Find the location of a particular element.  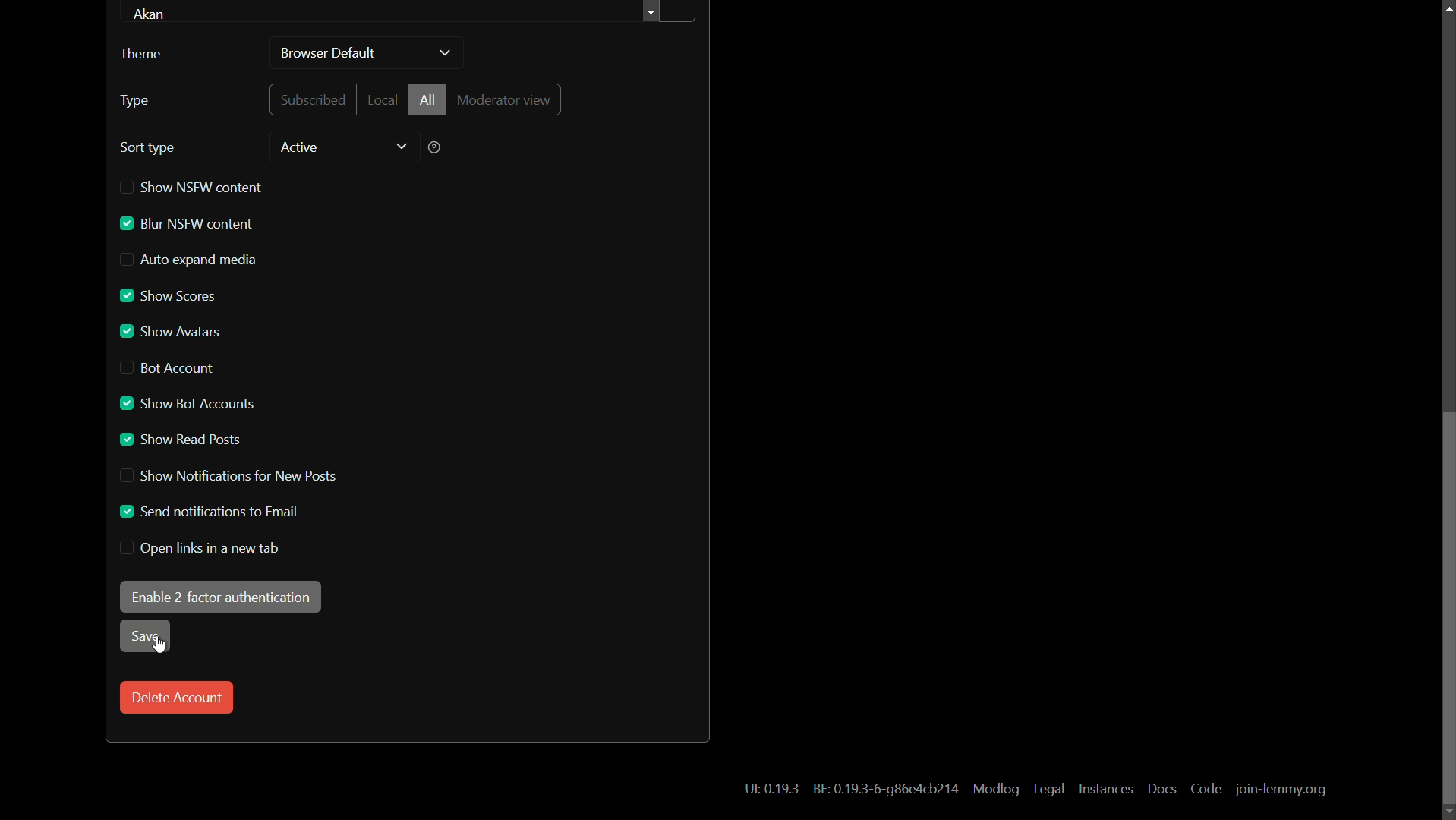

bot account is located at coordinates (166, 369).